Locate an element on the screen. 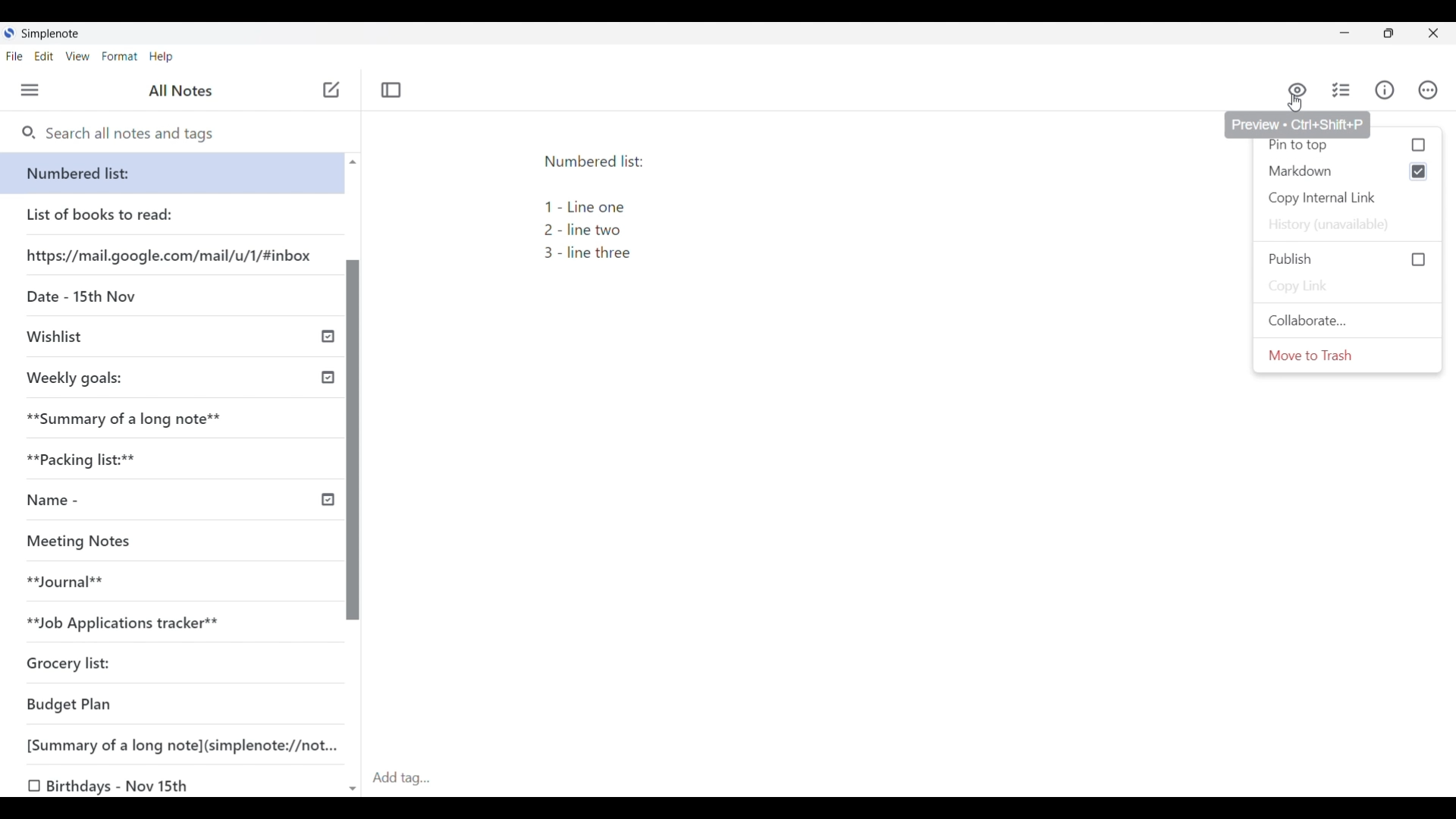  Vertical slide bar is located at coordinates (354, 439).